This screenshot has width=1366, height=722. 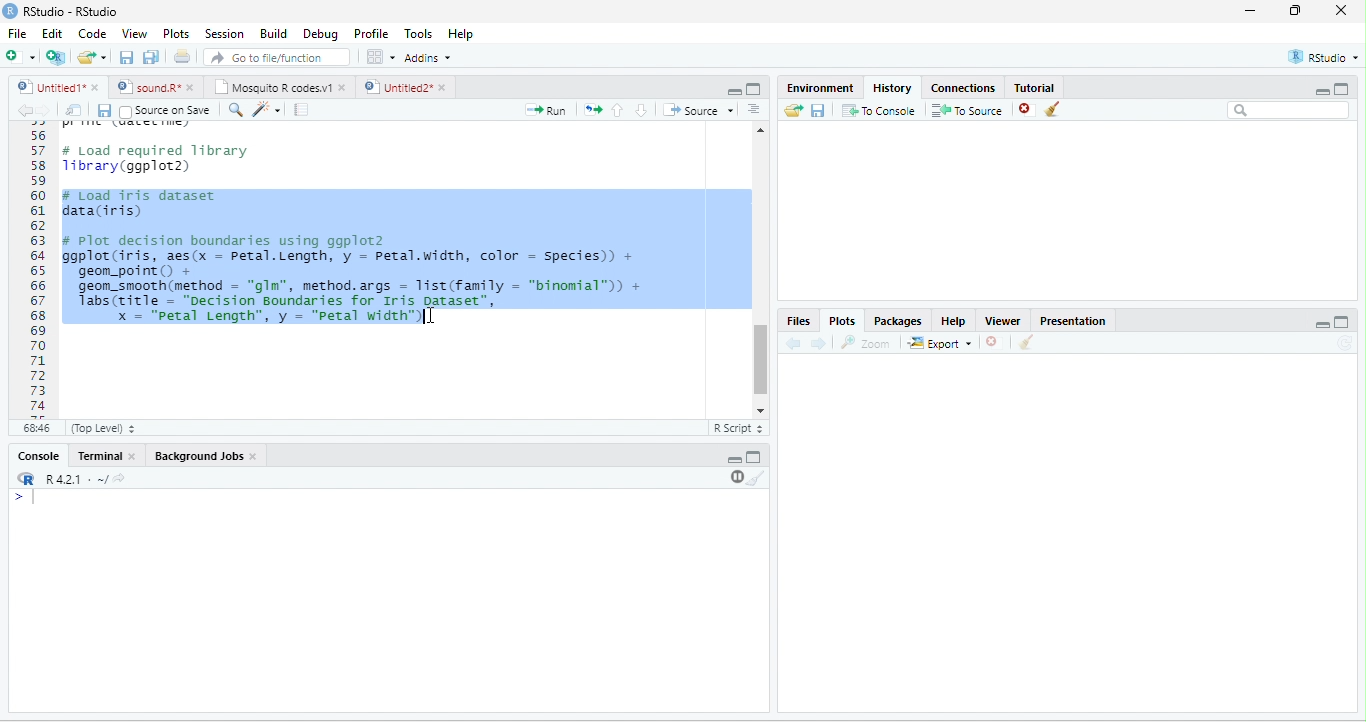 What do you see at coordinates (49, 87) in the screenshot?
I see `Untitled` at bounding box center [49, 87].